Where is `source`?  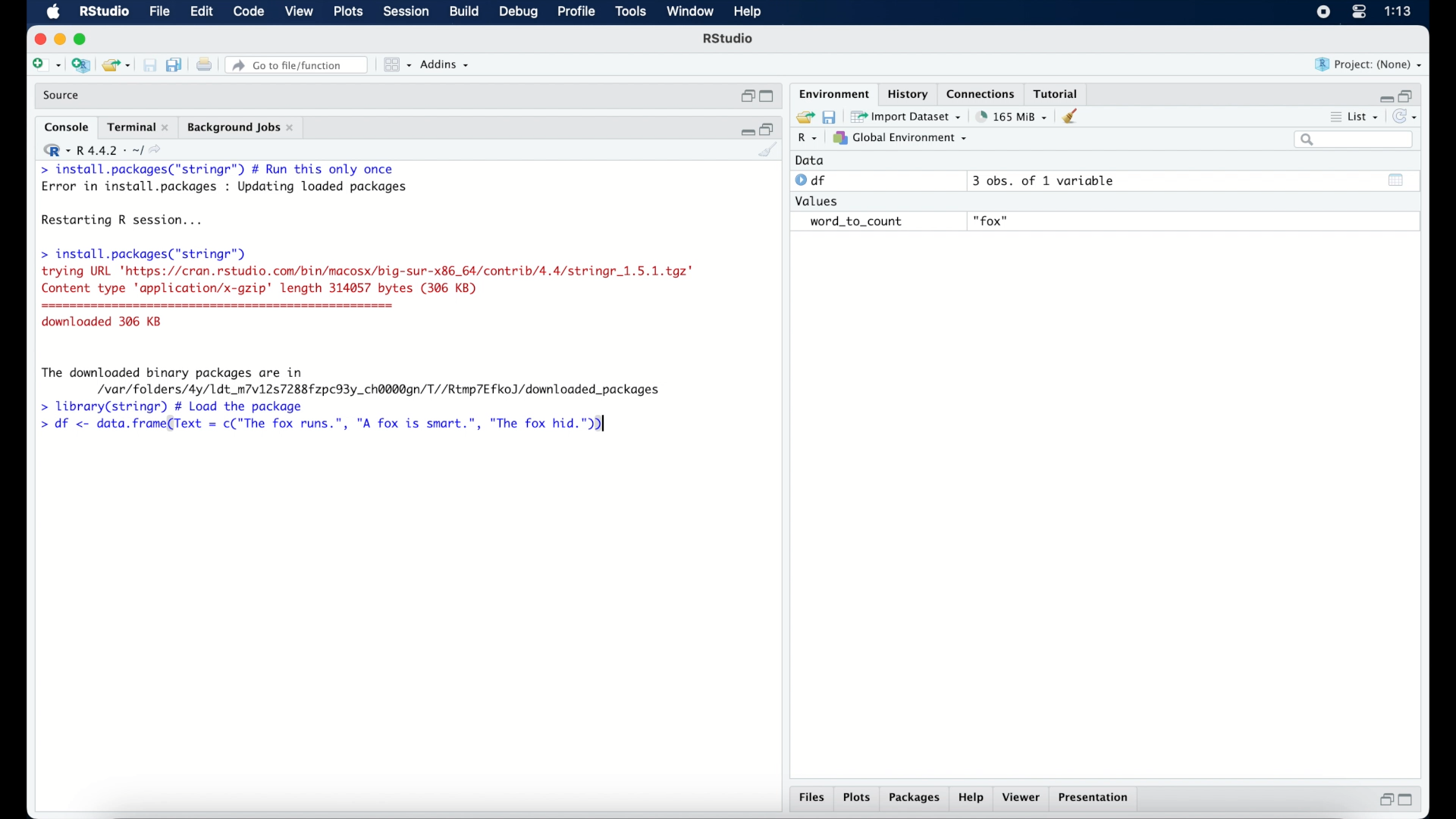 source is located at coordinates (63, 96).